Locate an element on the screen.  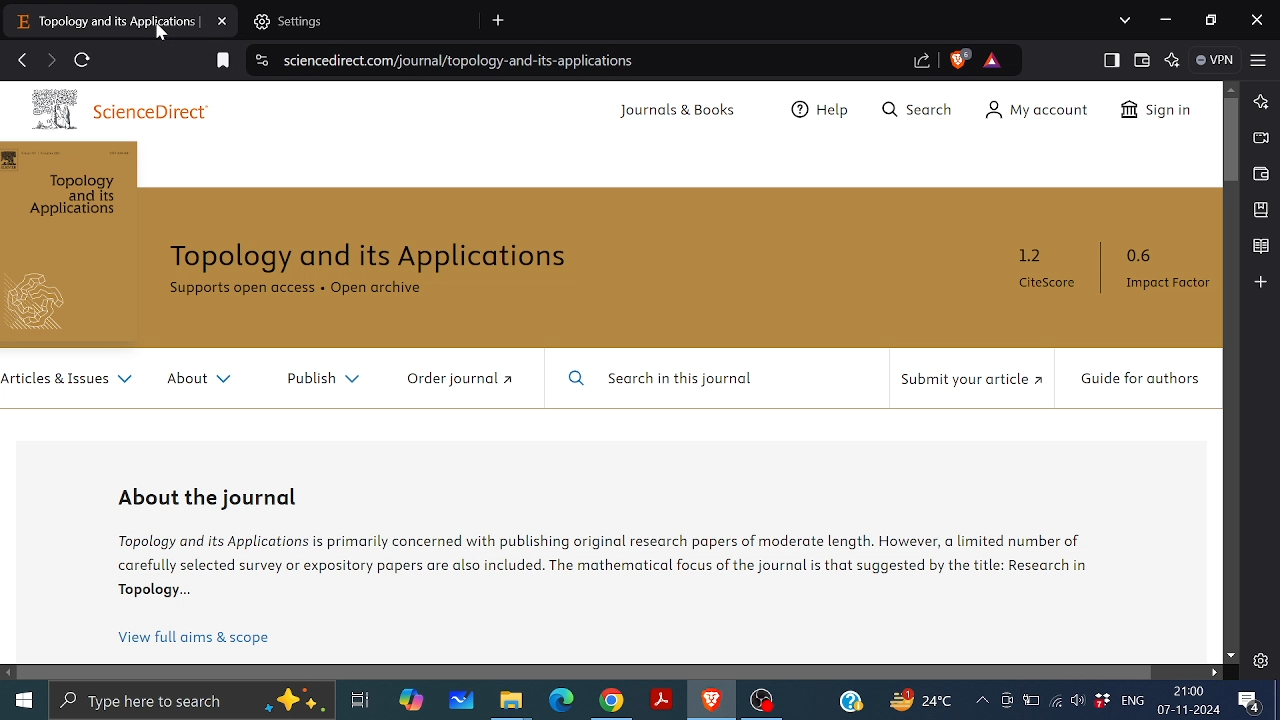
View full aims & scope is located at coordinates (198, 641).